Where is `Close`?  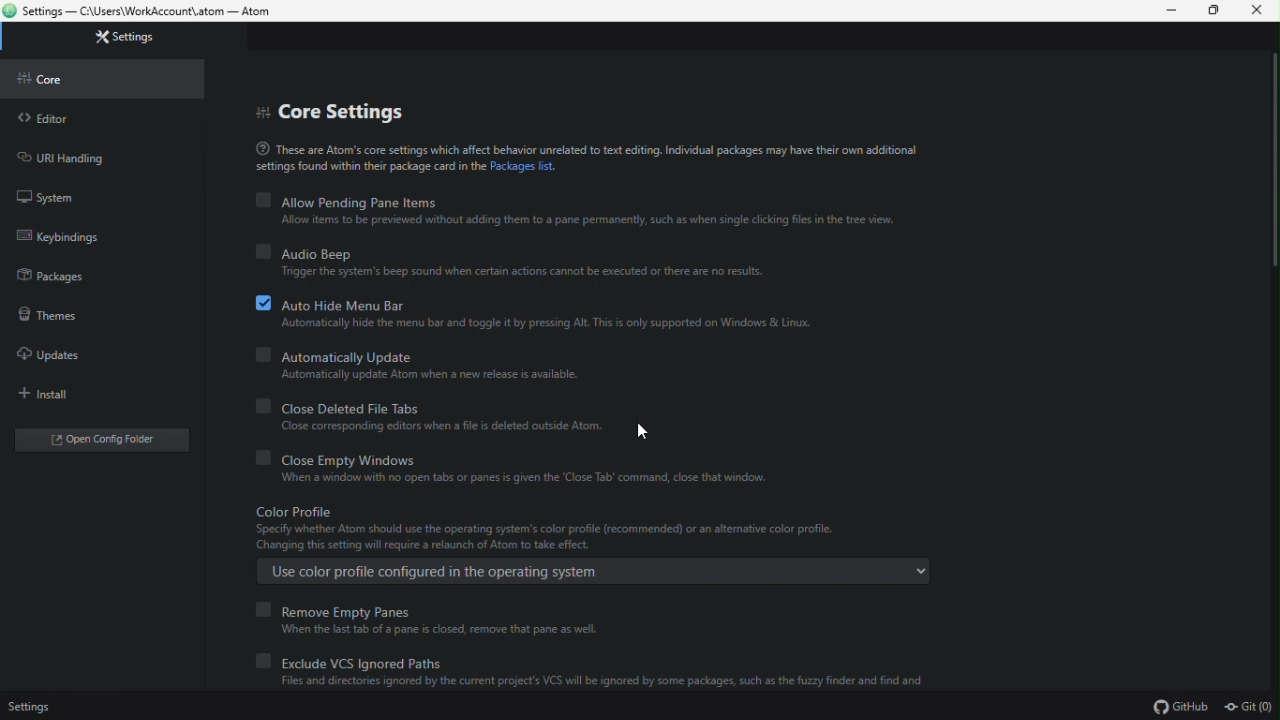 Close is located at coordinates (1257, 13).